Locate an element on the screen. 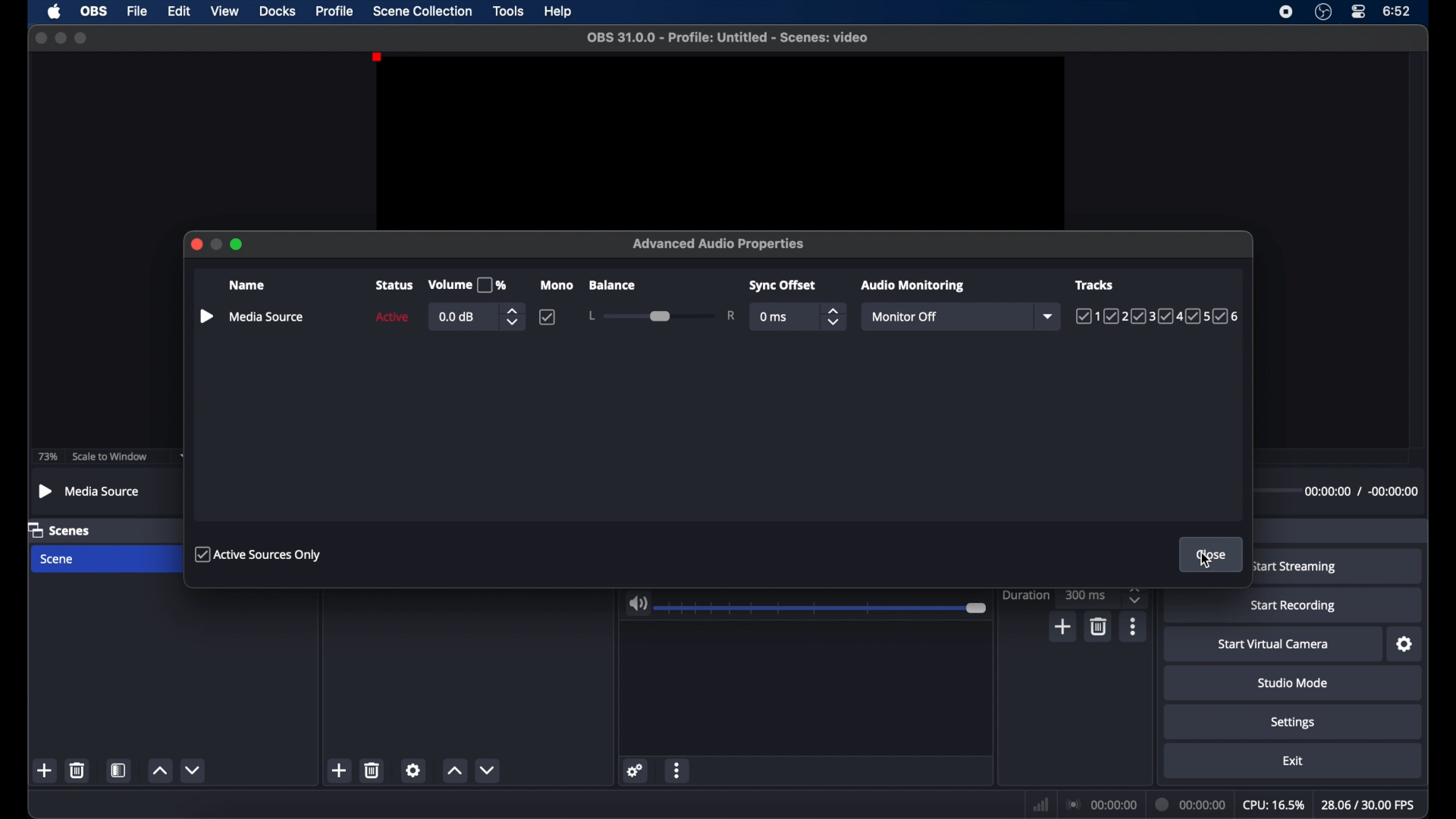 This screenshot has height=819, width=1456. maximize is located at coordinates (238, 245).